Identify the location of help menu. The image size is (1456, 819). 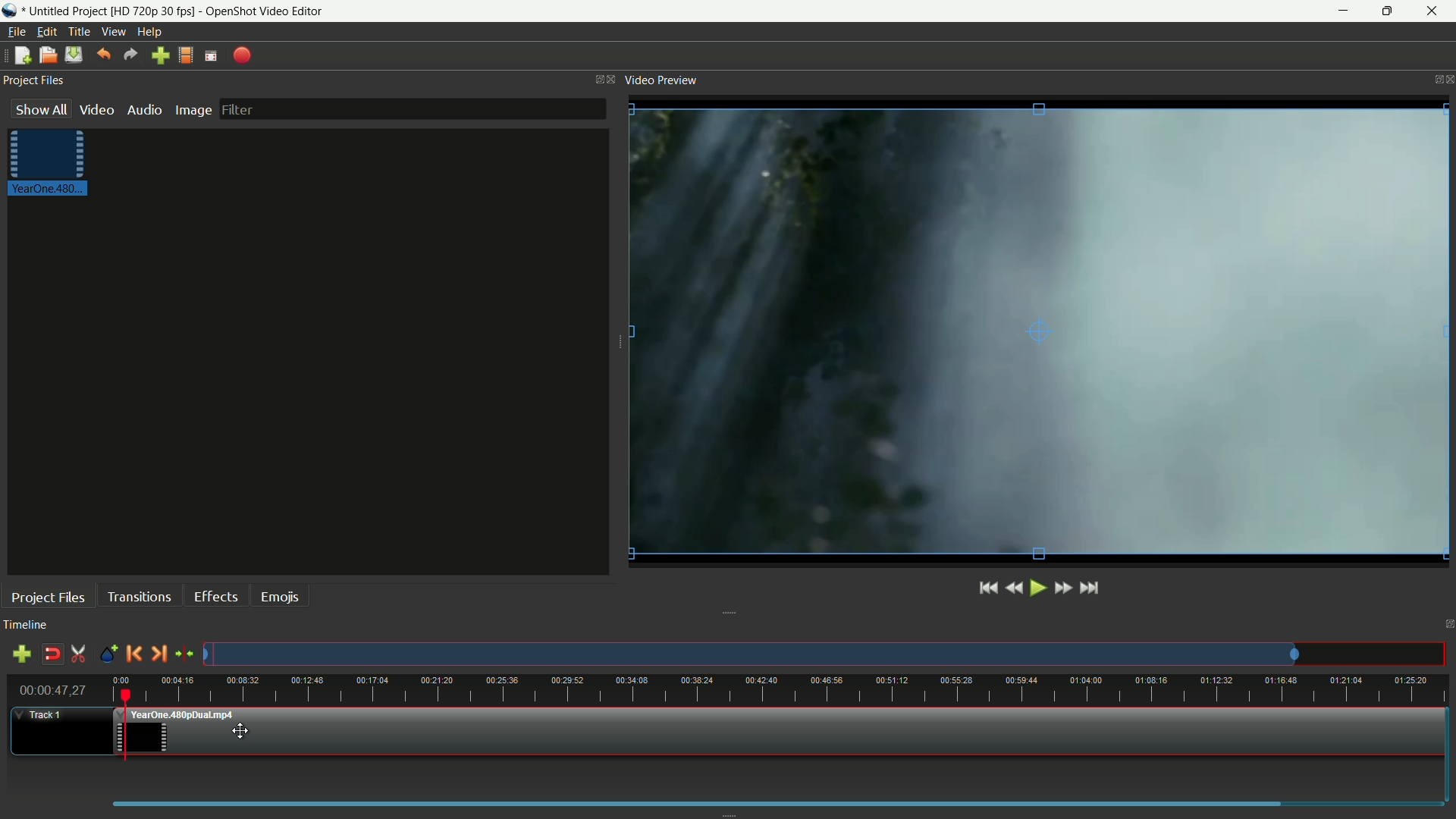
(151, 31).